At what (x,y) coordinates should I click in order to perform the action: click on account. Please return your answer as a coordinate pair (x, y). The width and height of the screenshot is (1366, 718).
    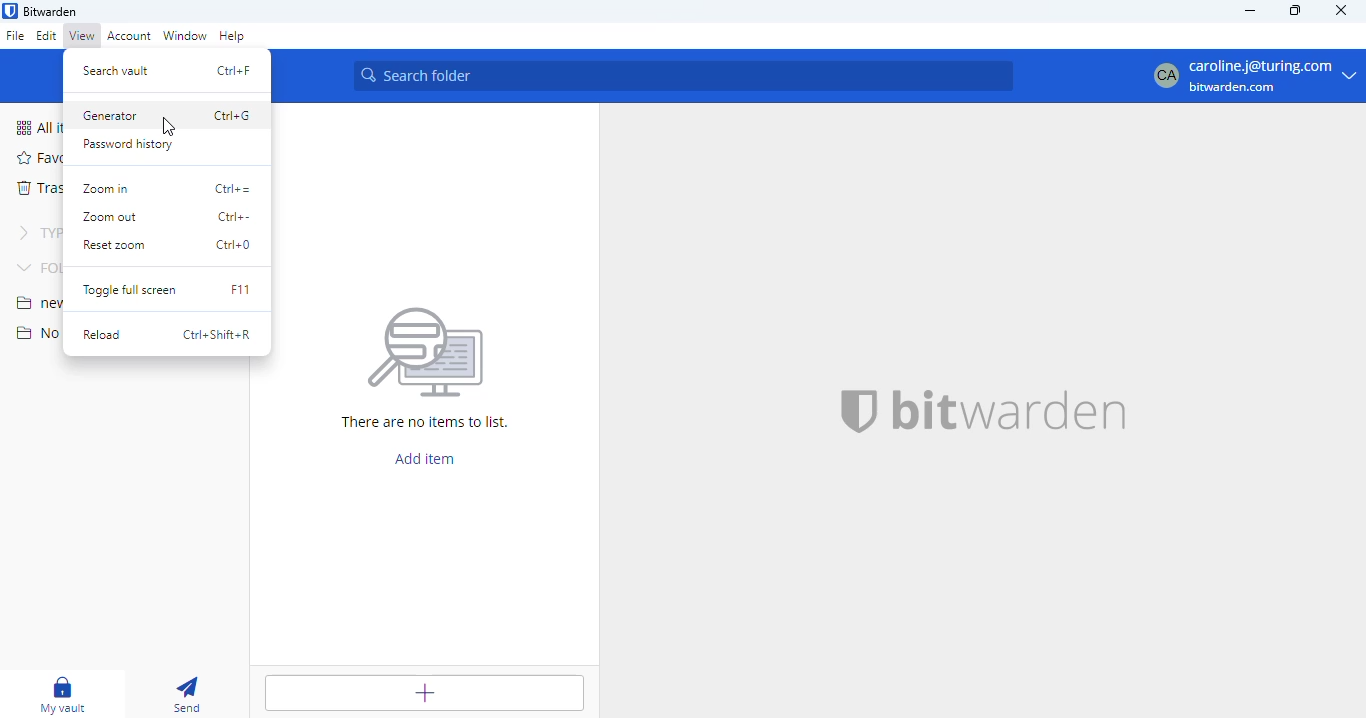
    Looking at the image, I should click on (130, 35).